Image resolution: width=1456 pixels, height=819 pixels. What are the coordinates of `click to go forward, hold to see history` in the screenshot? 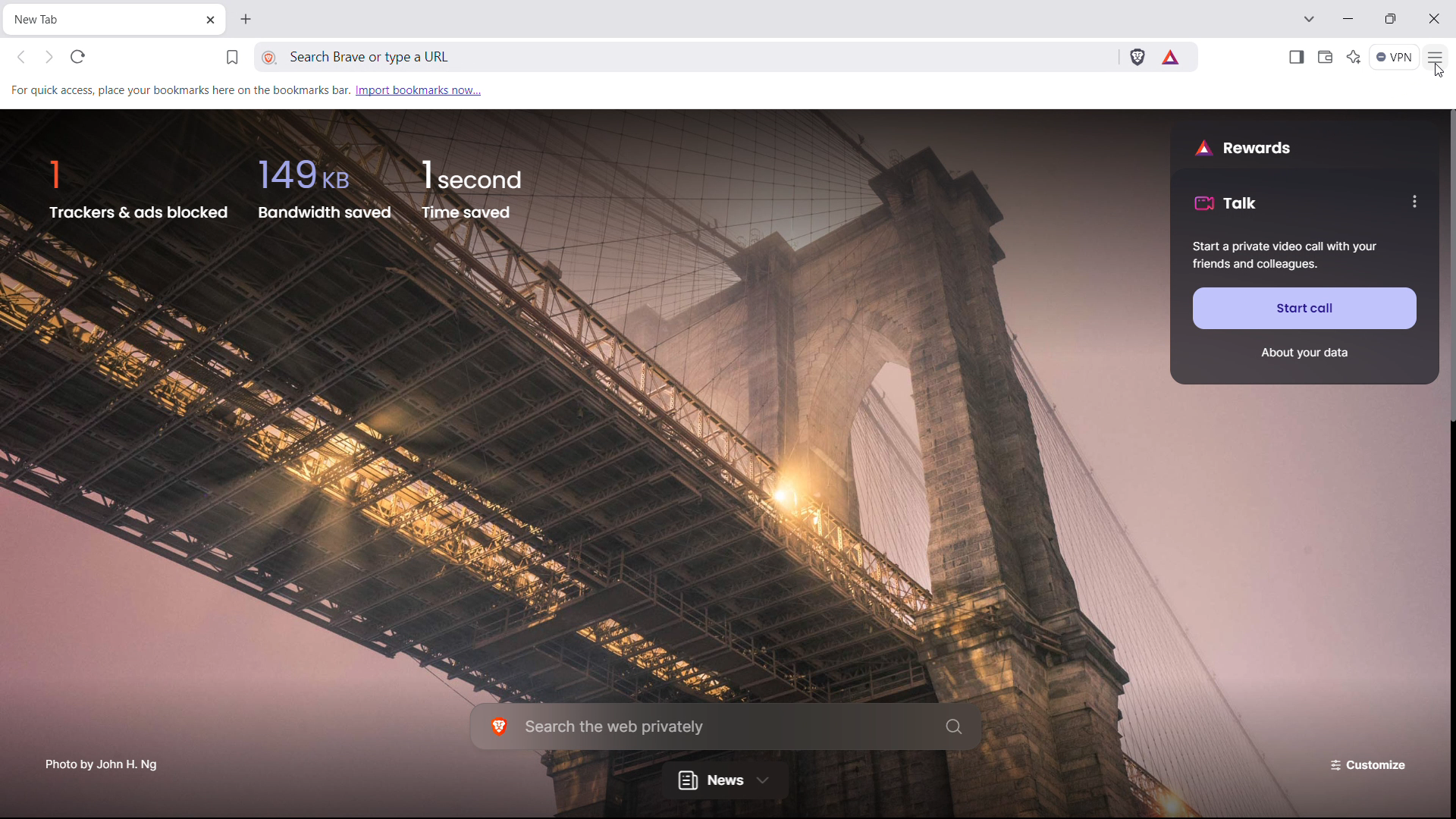 It's located at (50, 56).